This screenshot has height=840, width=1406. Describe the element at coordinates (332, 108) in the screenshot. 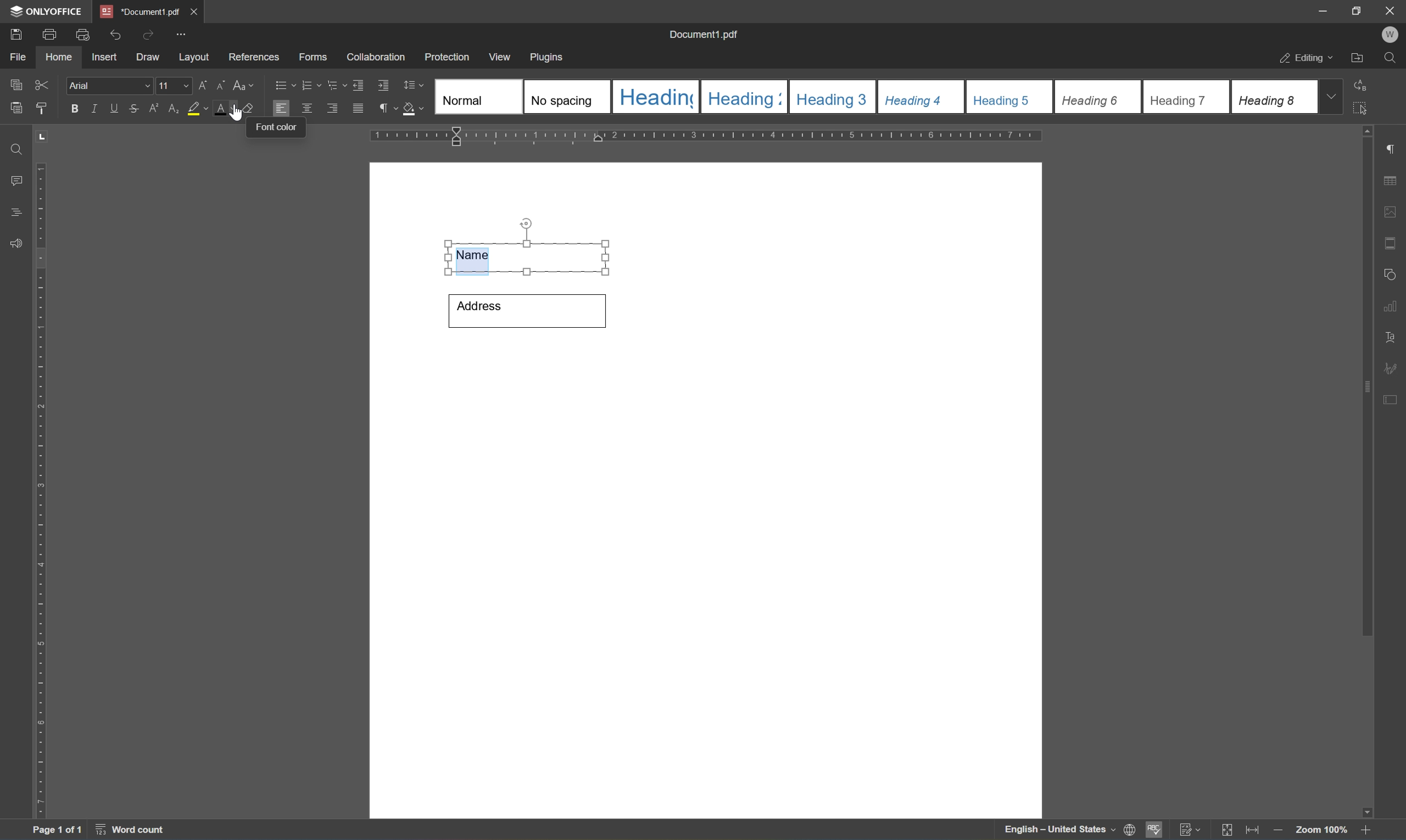

I see `align right` at that location.